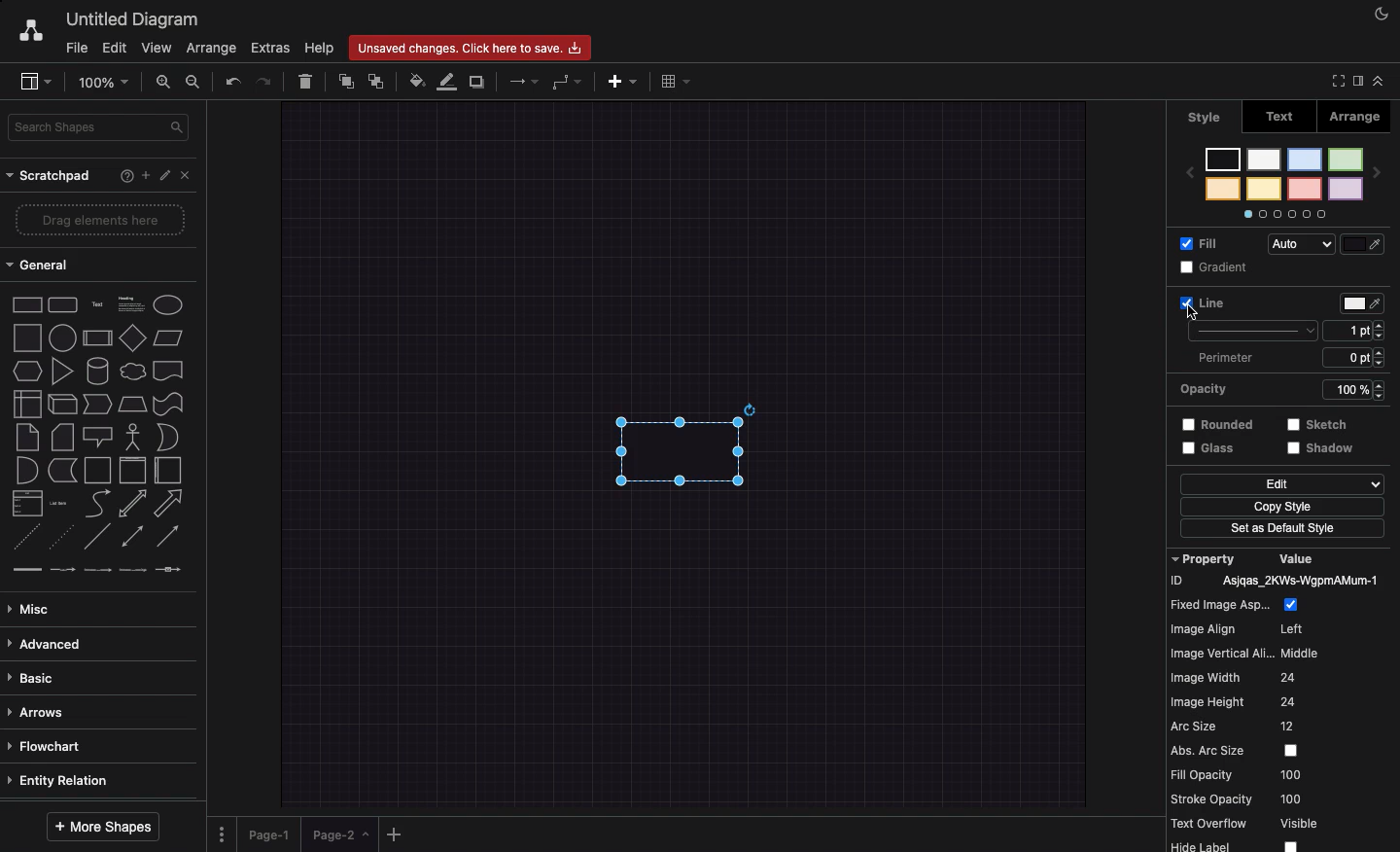 The height and width of the screenshot is (852, 1400). Describe the element at coordinates (1283, 700) in the screenshot. I see `Property value` at that location.